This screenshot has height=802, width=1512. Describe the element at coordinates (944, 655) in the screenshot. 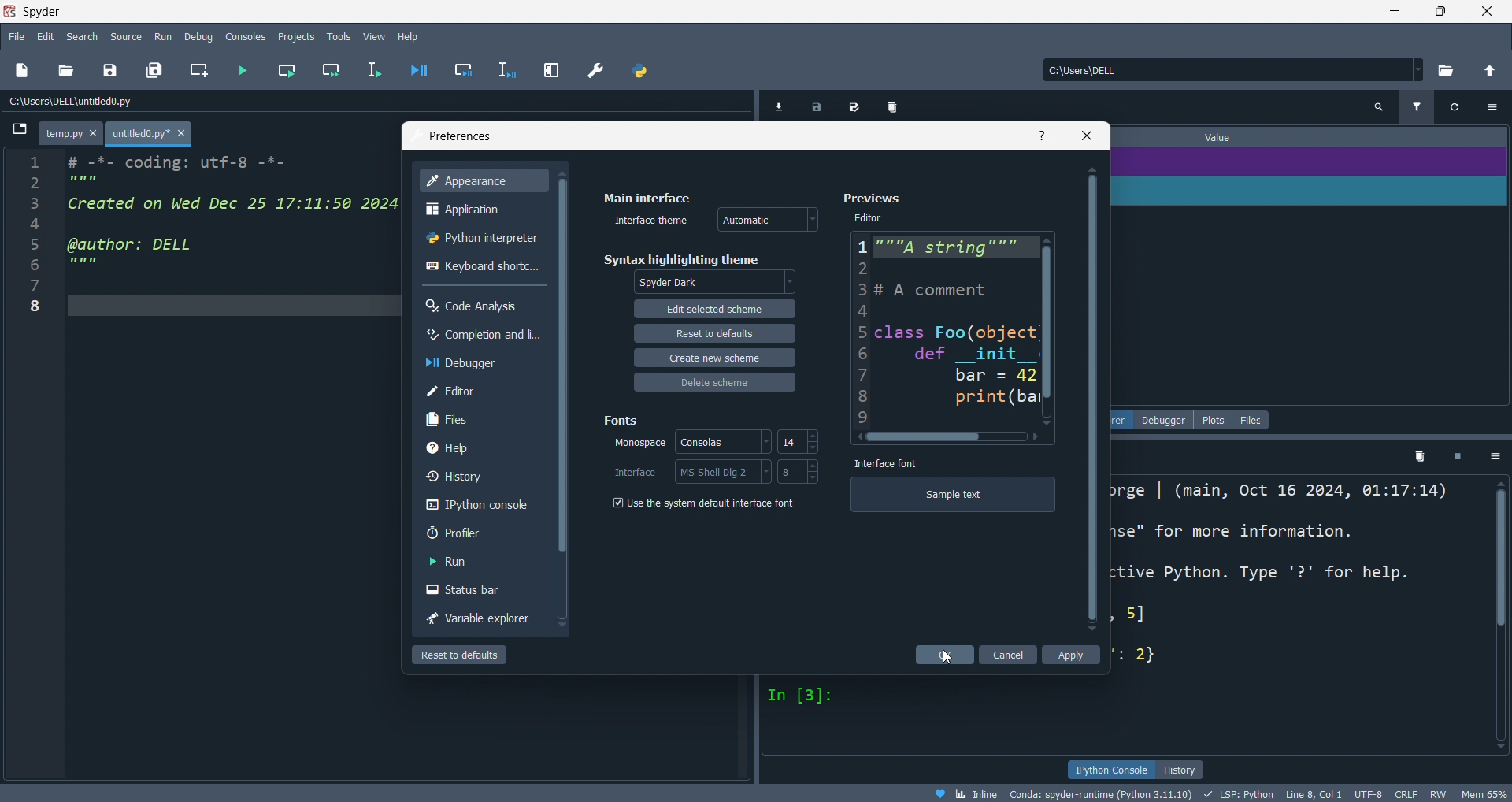

I see `cursor` at that location.